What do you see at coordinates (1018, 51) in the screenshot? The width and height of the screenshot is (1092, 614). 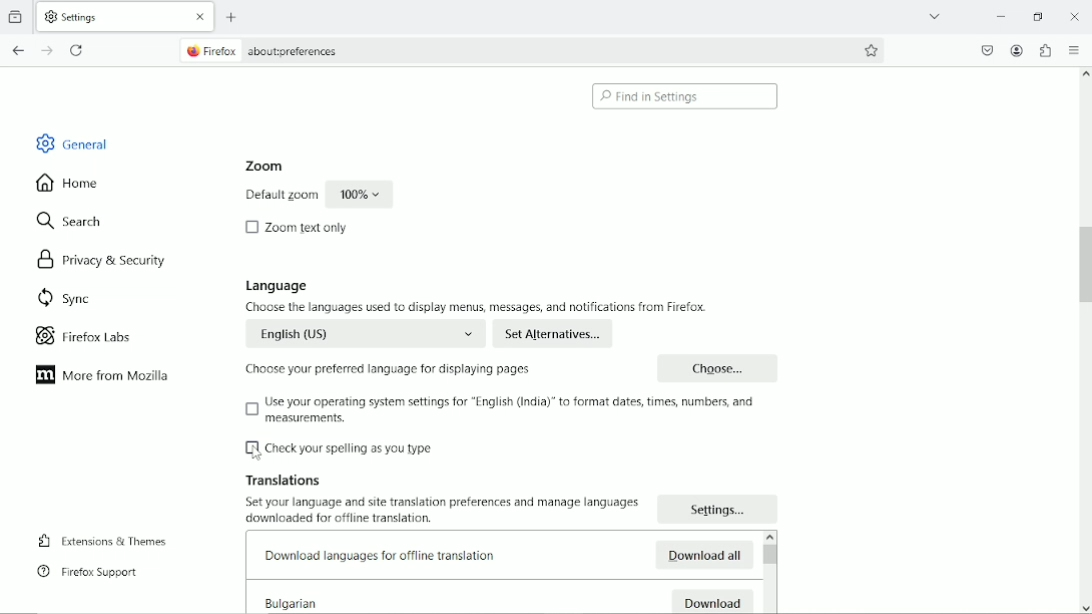 I see `Account` at bounding box center [1018, 51].